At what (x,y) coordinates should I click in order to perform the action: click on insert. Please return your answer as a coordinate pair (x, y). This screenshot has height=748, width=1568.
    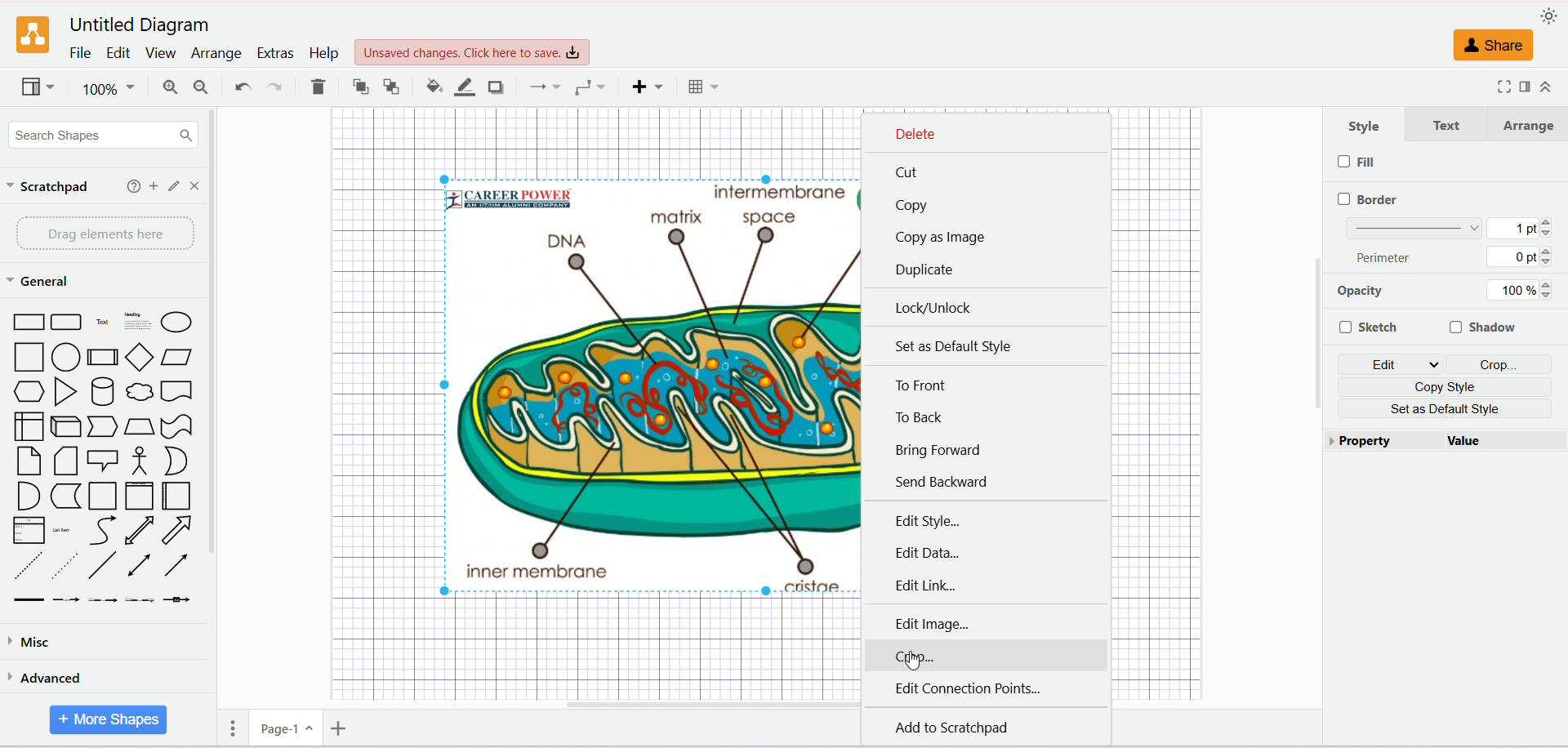
    Looking at the image, I should click on (648, 87).